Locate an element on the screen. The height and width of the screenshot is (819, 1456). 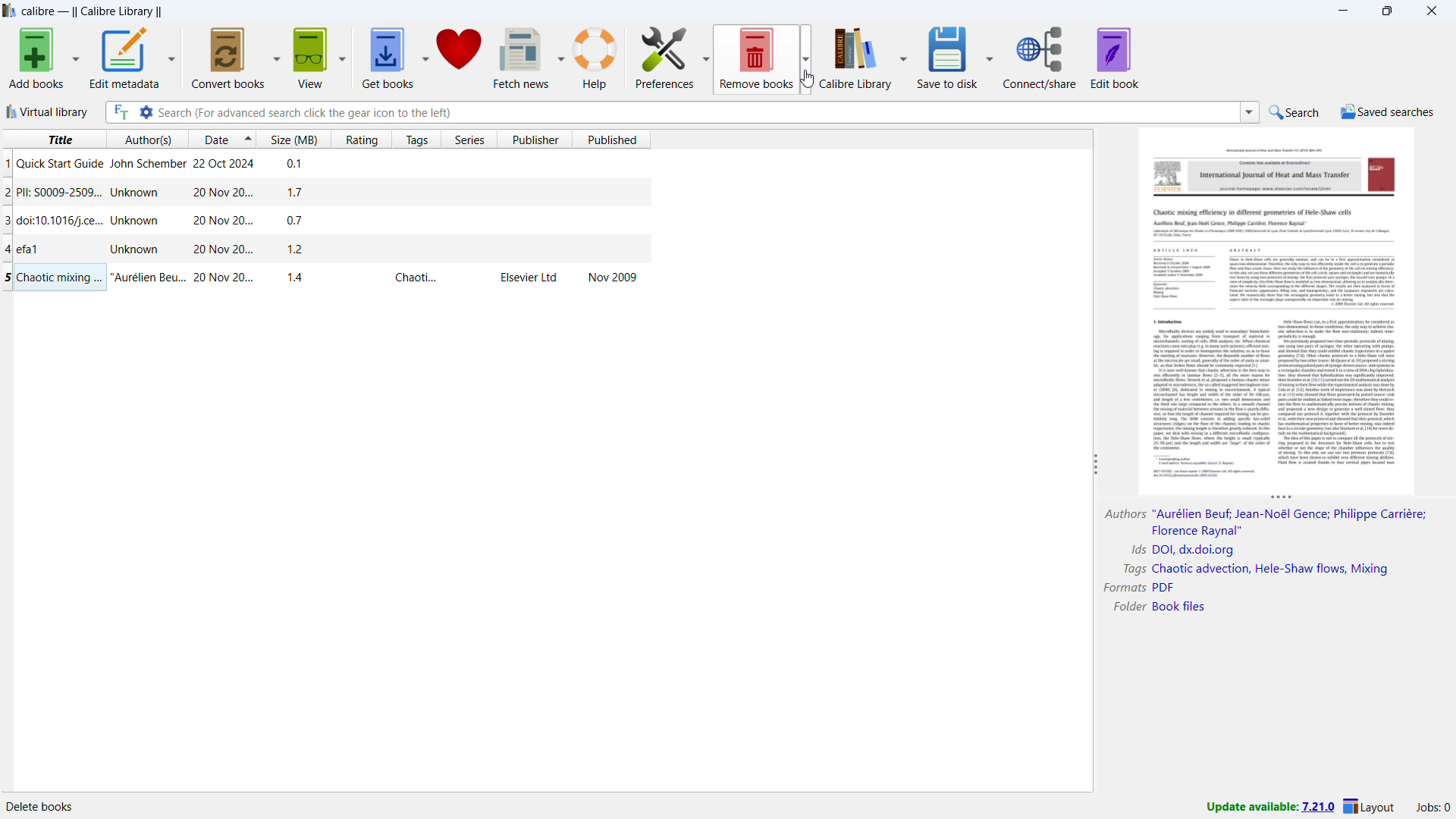
single book entry is located at coordinates (326, 221).